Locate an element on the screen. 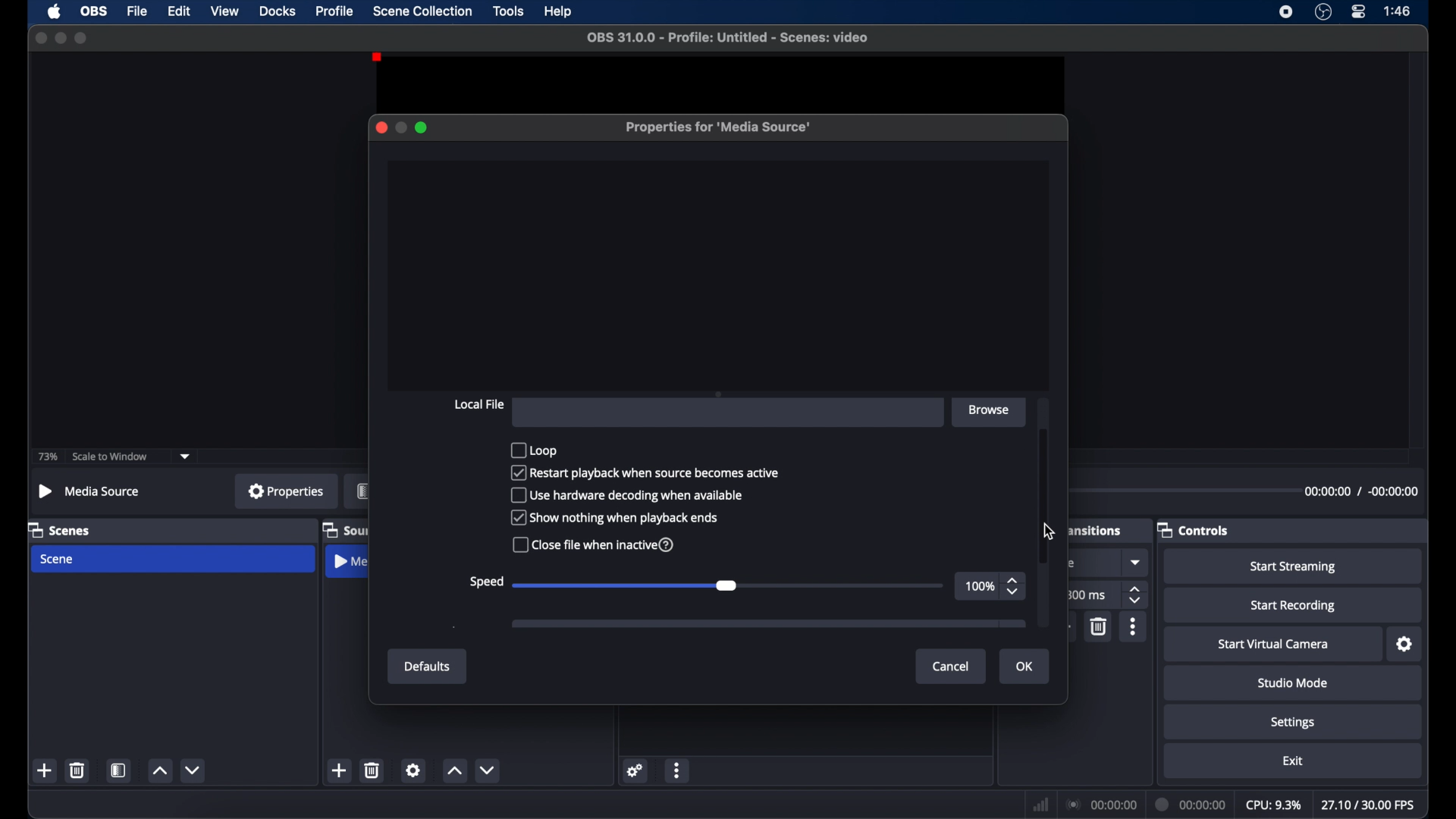 Image resolution: width=1456 pixels, height=819 pixels. decrement is located at coordinates (488, 770).